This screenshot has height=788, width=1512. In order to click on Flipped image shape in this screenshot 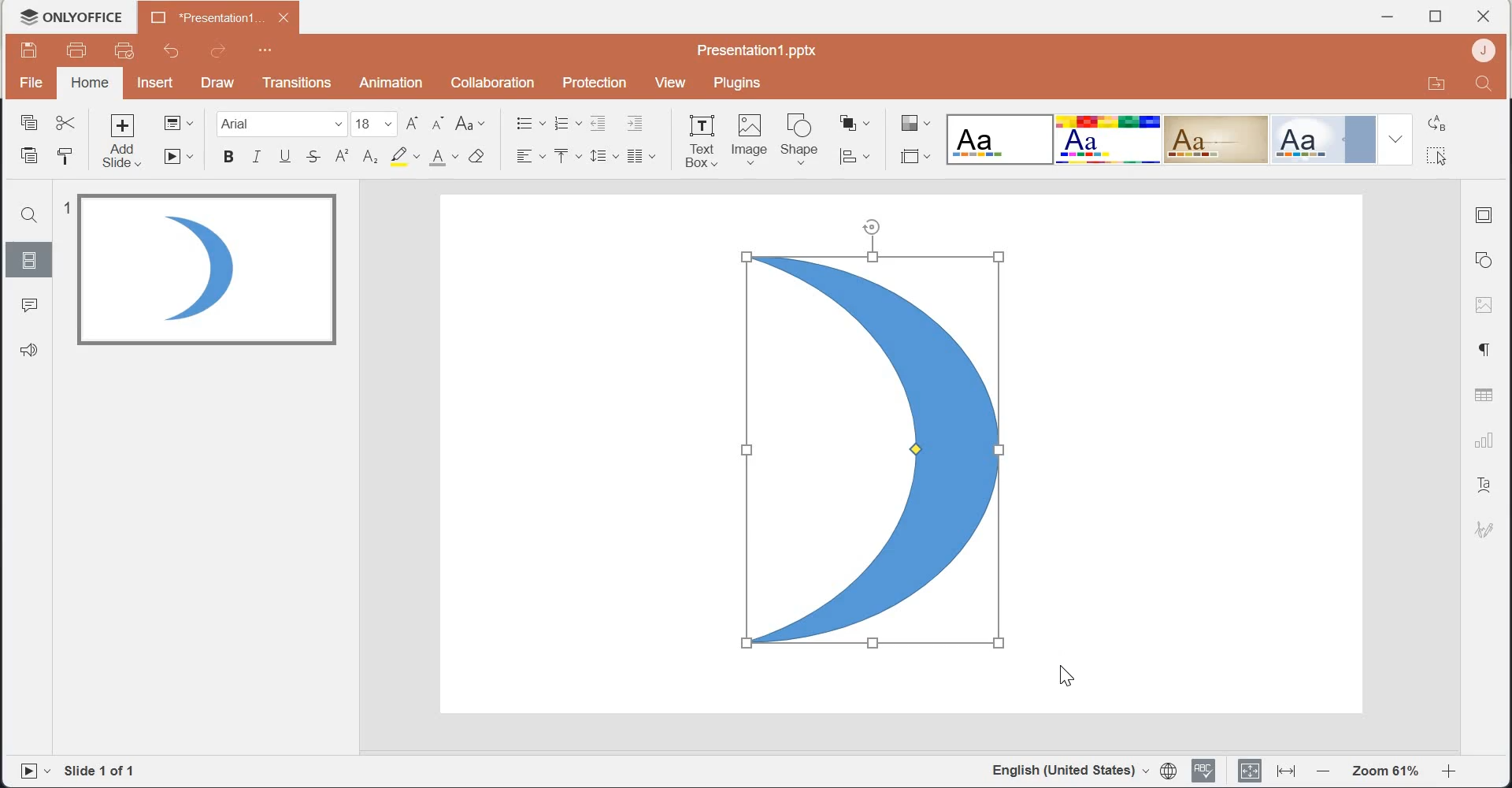, I will do `click(869, 437)`.